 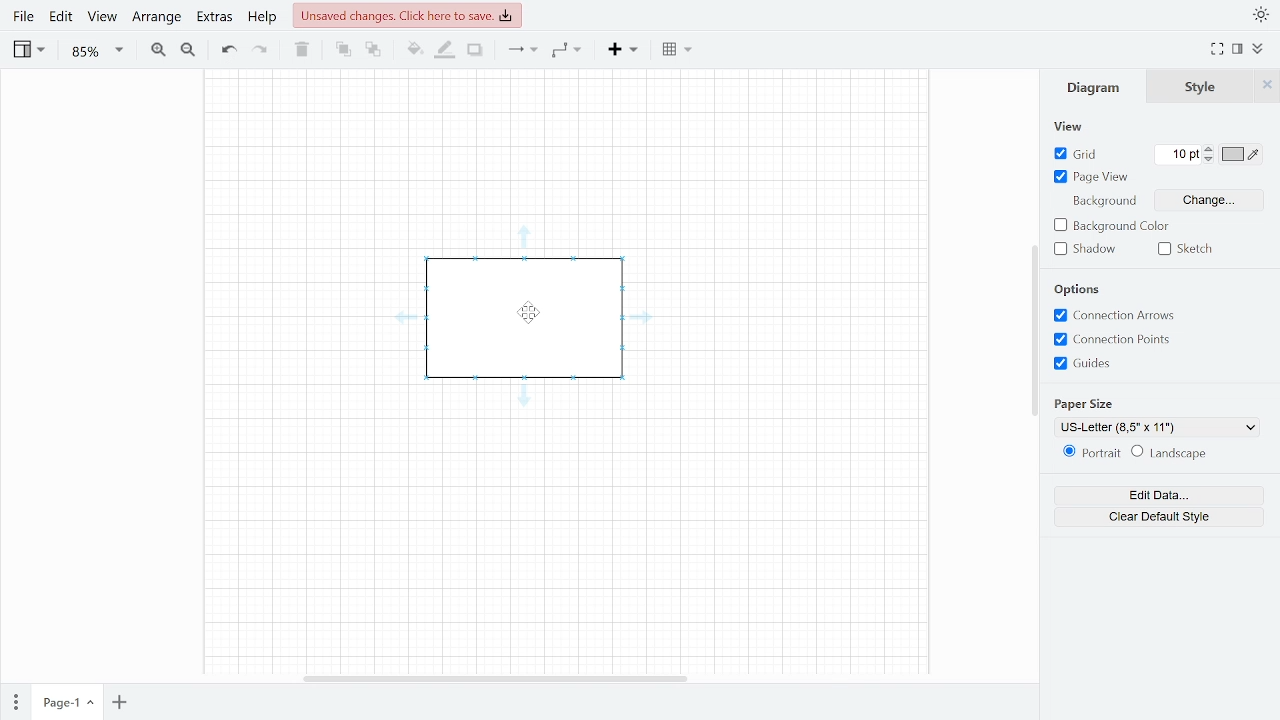 I want to click on Decrease grid count, so click(x=1211, y=161).